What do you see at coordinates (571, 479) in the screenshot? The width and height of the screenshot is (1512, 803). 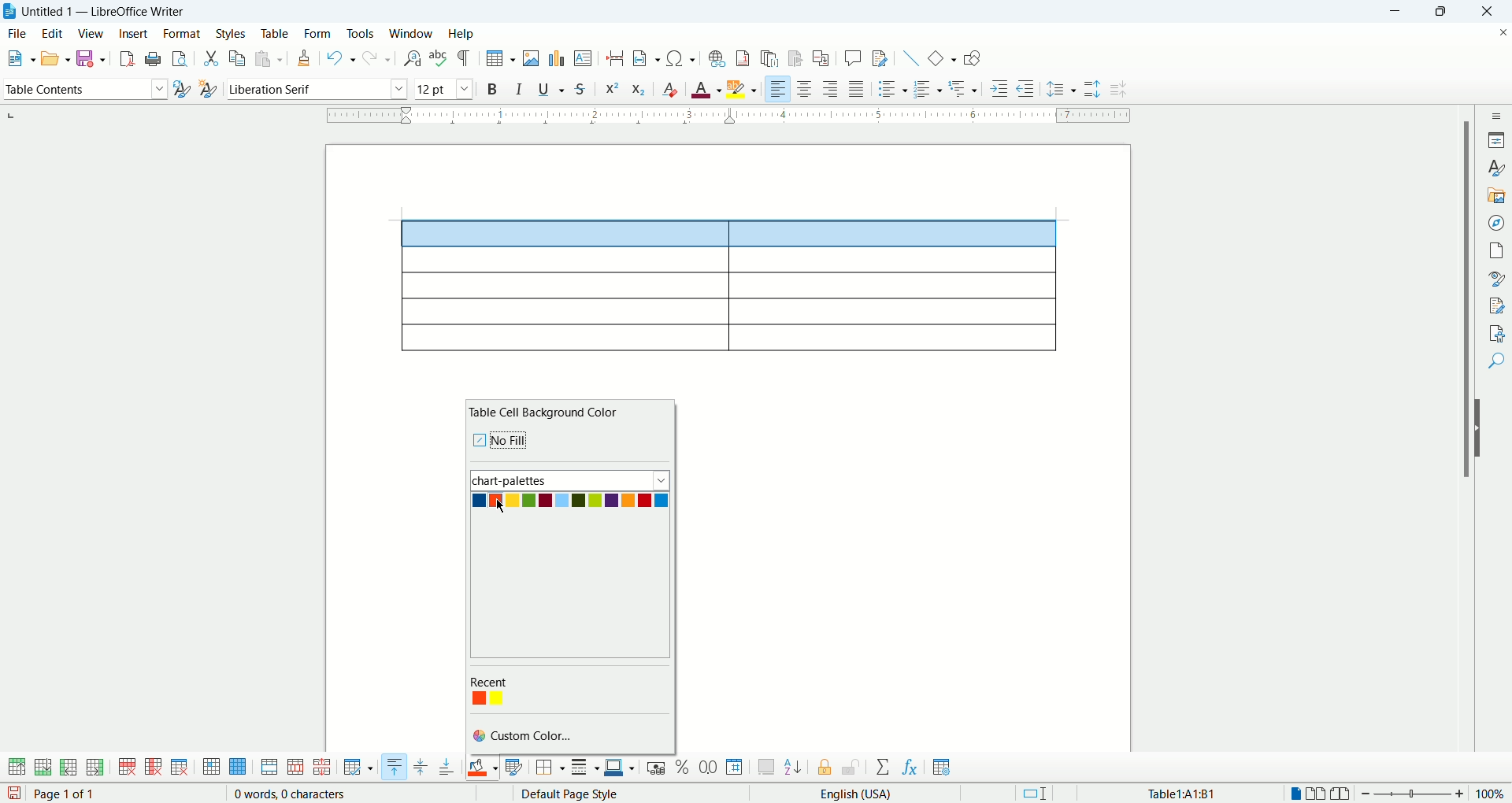 I see `chart palettes` at bounding box center [571, 479].